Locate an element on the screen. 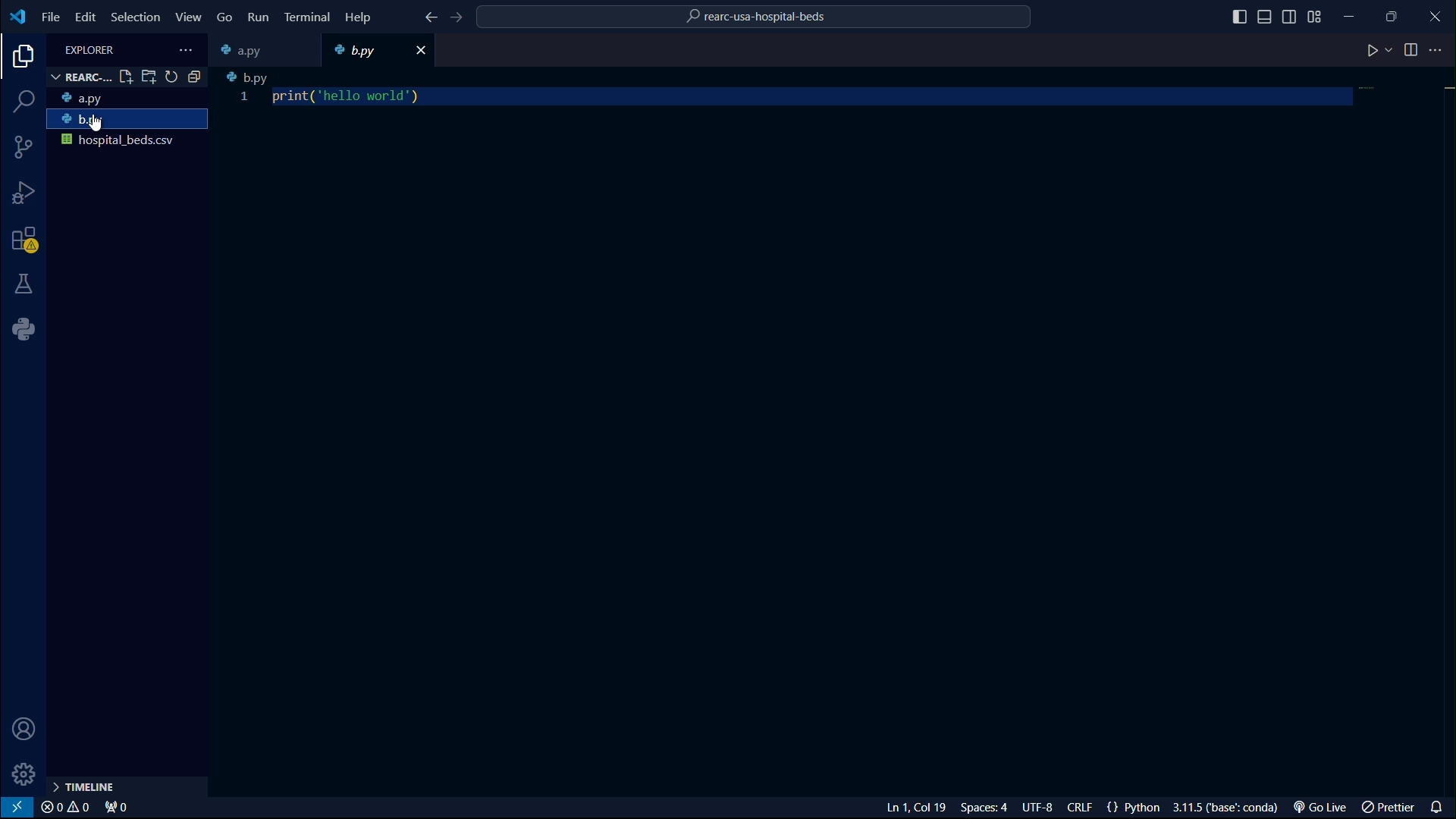  {} Python is located at coordinates (1134, 808).